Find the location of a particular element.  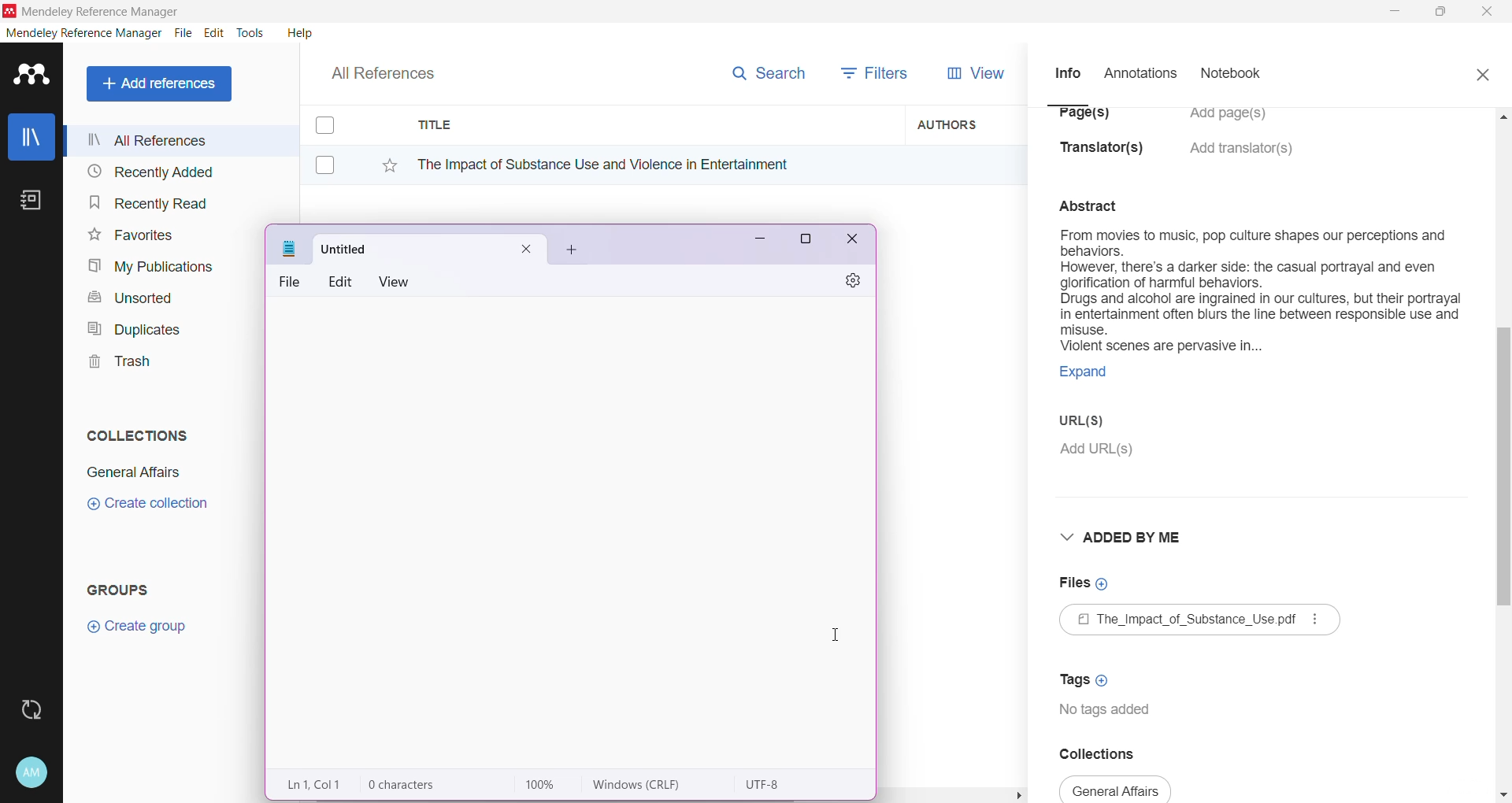

My Publications is located at coordinates (149, 267).